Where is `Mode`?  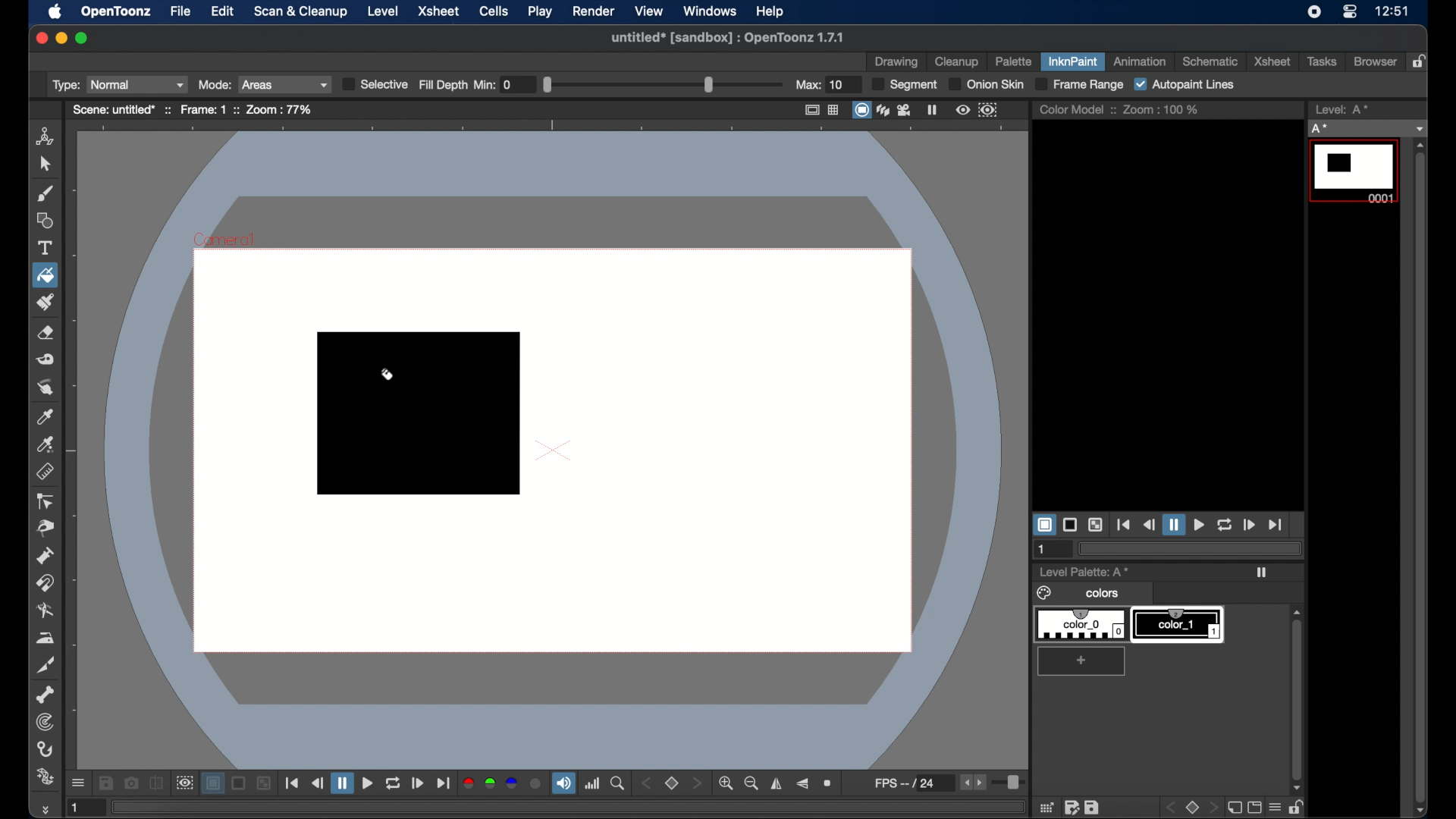
Mode is located at coordinates (261, 84).